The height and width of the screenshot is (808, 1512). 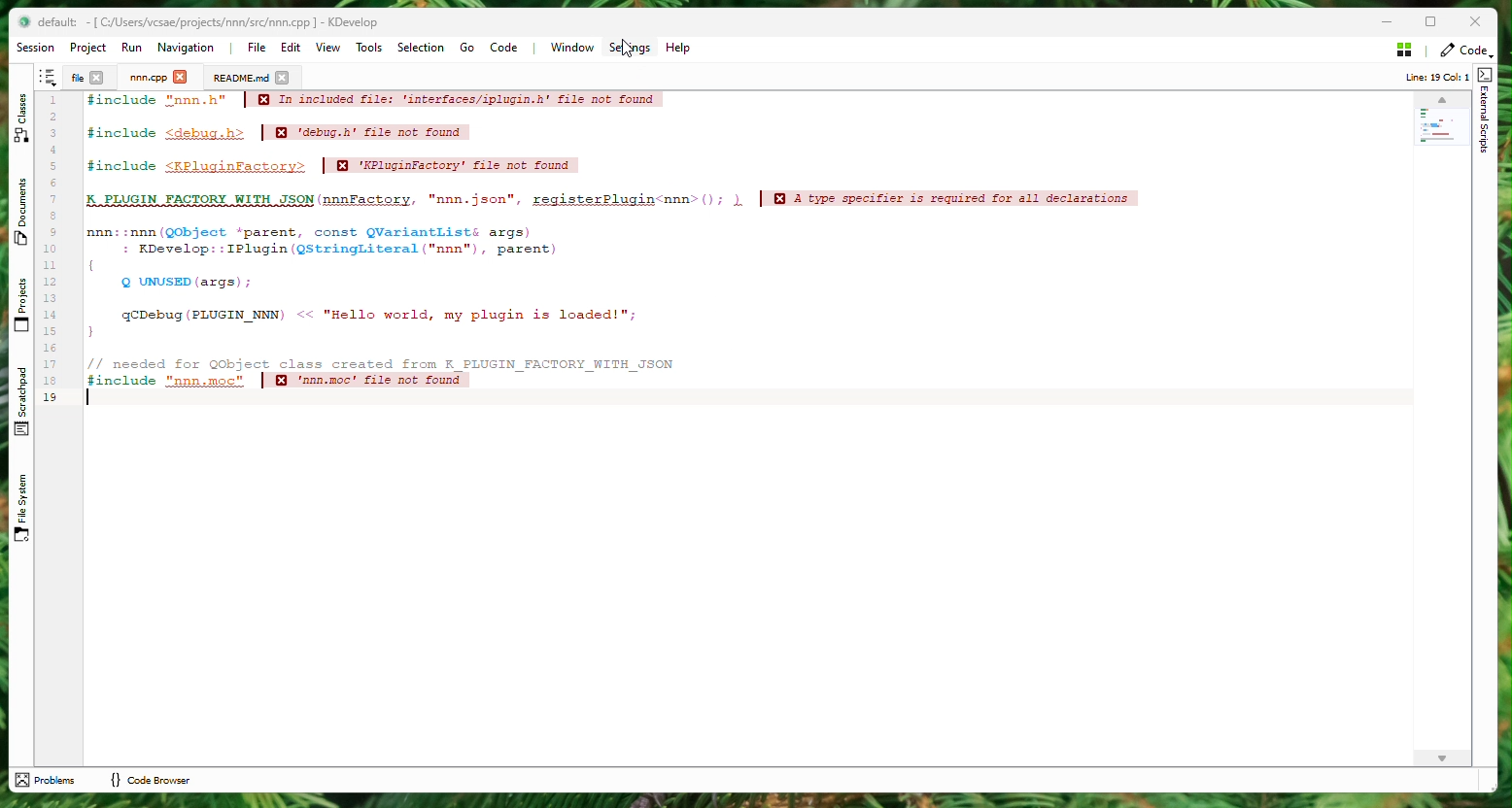 I want to click on 3, so click(x=52, y=133).